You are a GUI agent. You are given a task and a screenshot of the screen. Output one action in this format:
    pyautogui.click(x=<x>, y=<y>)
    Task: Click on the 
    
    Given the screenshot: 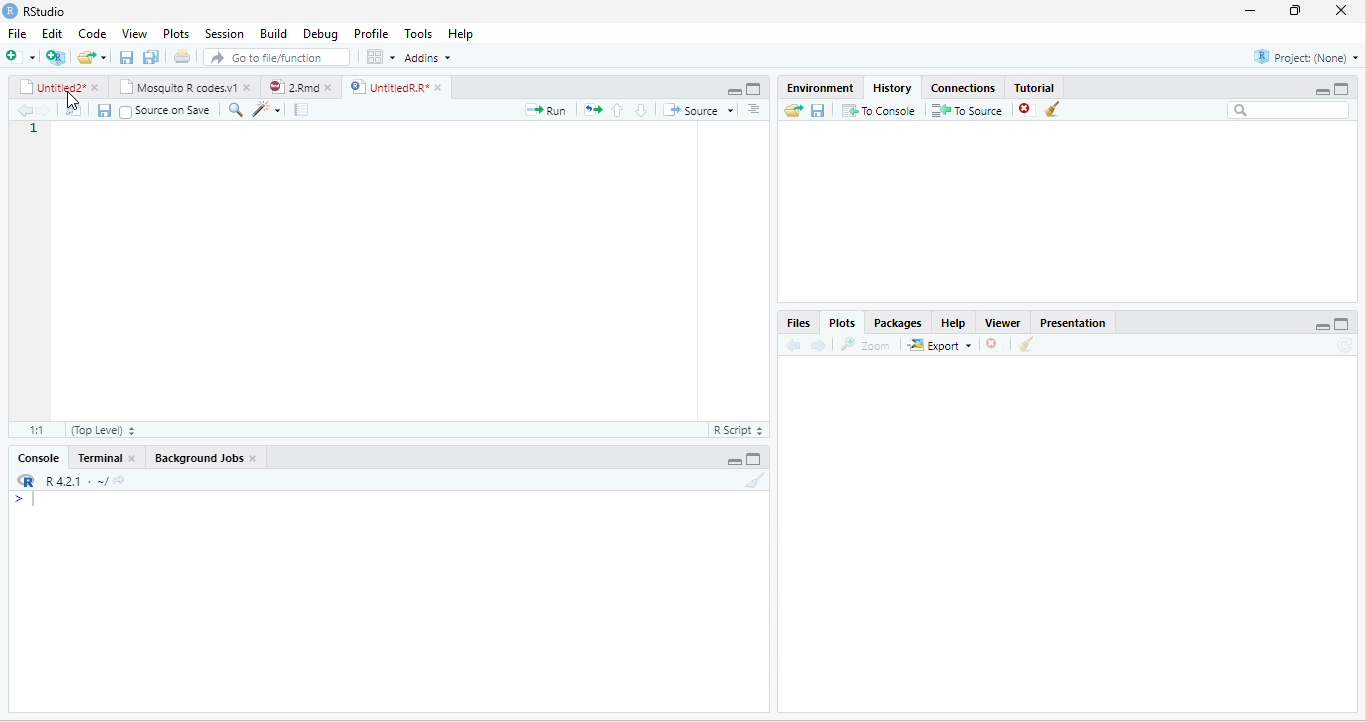 What is the action you would take?
    pyautogui.click(x=313, y=110)
    